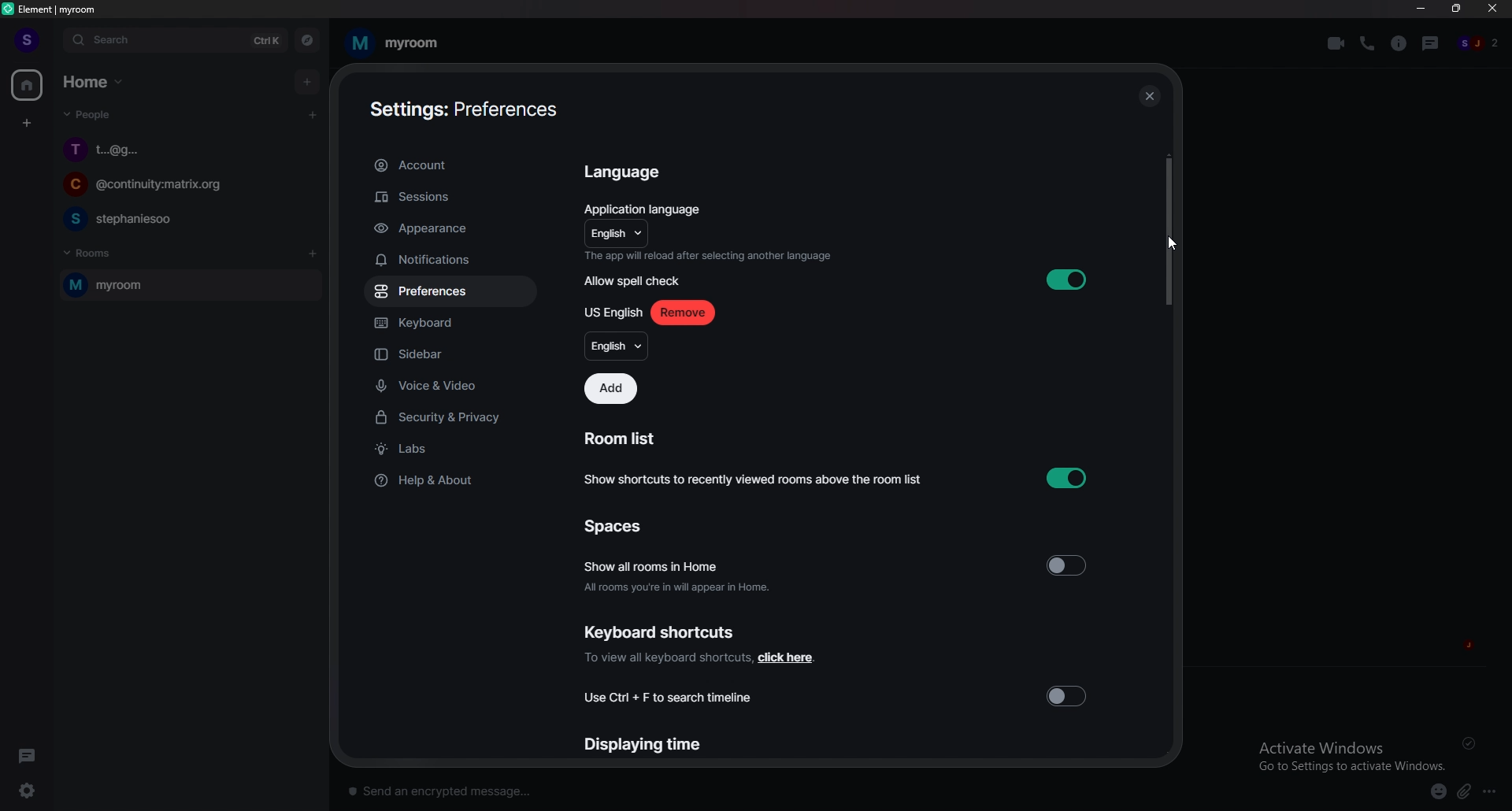 The width and height of the screenshot is (1512, 811). Describe the element at coordinates (84, 117) in the screenshot. I see `People` at that location.